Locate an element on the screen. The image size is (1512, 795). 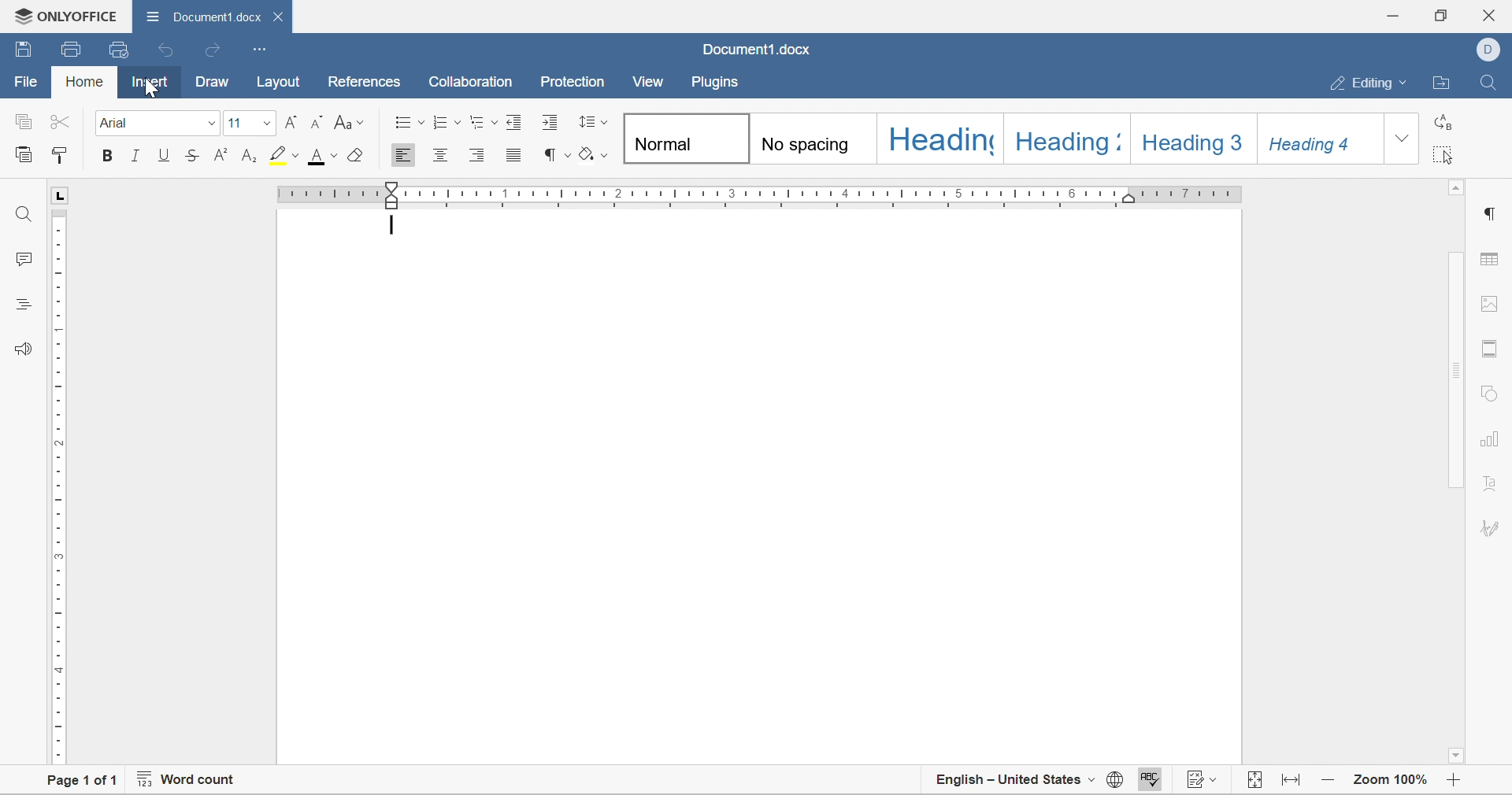
Left tab is located at coordinates (63, 193).